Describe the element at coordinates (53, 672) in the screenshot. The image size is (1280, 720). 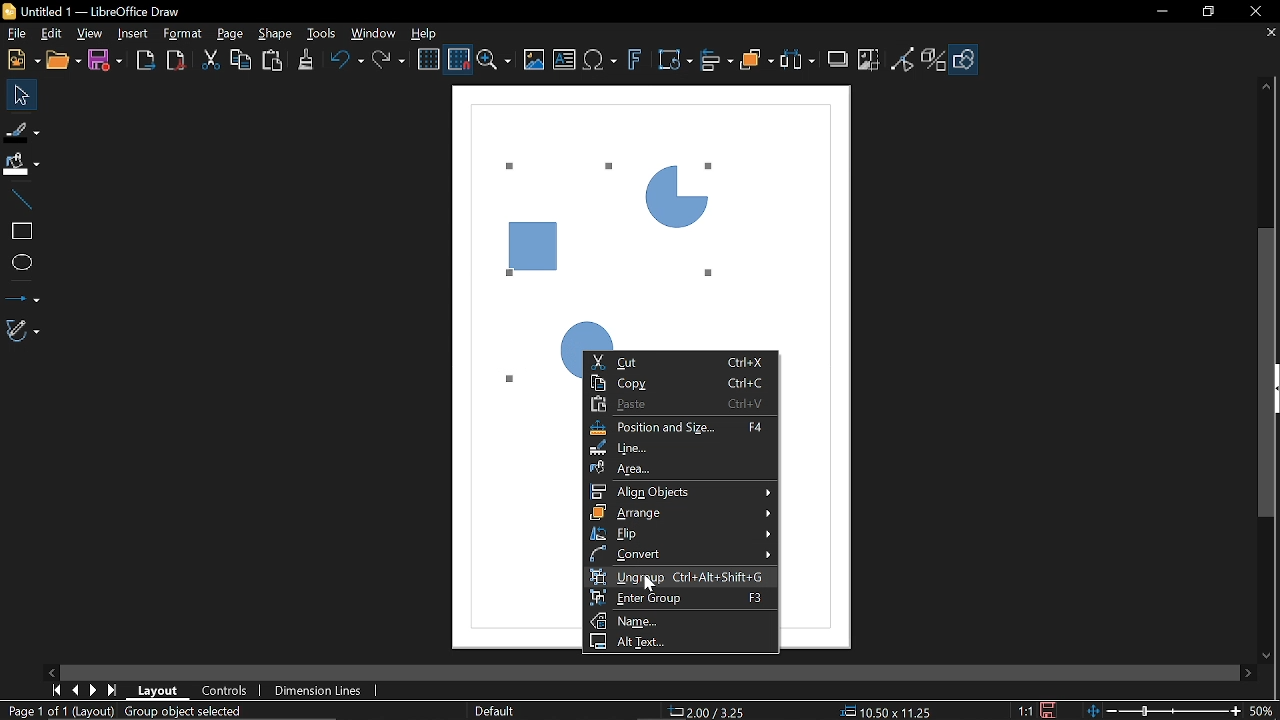
I see `Move left` at that location.